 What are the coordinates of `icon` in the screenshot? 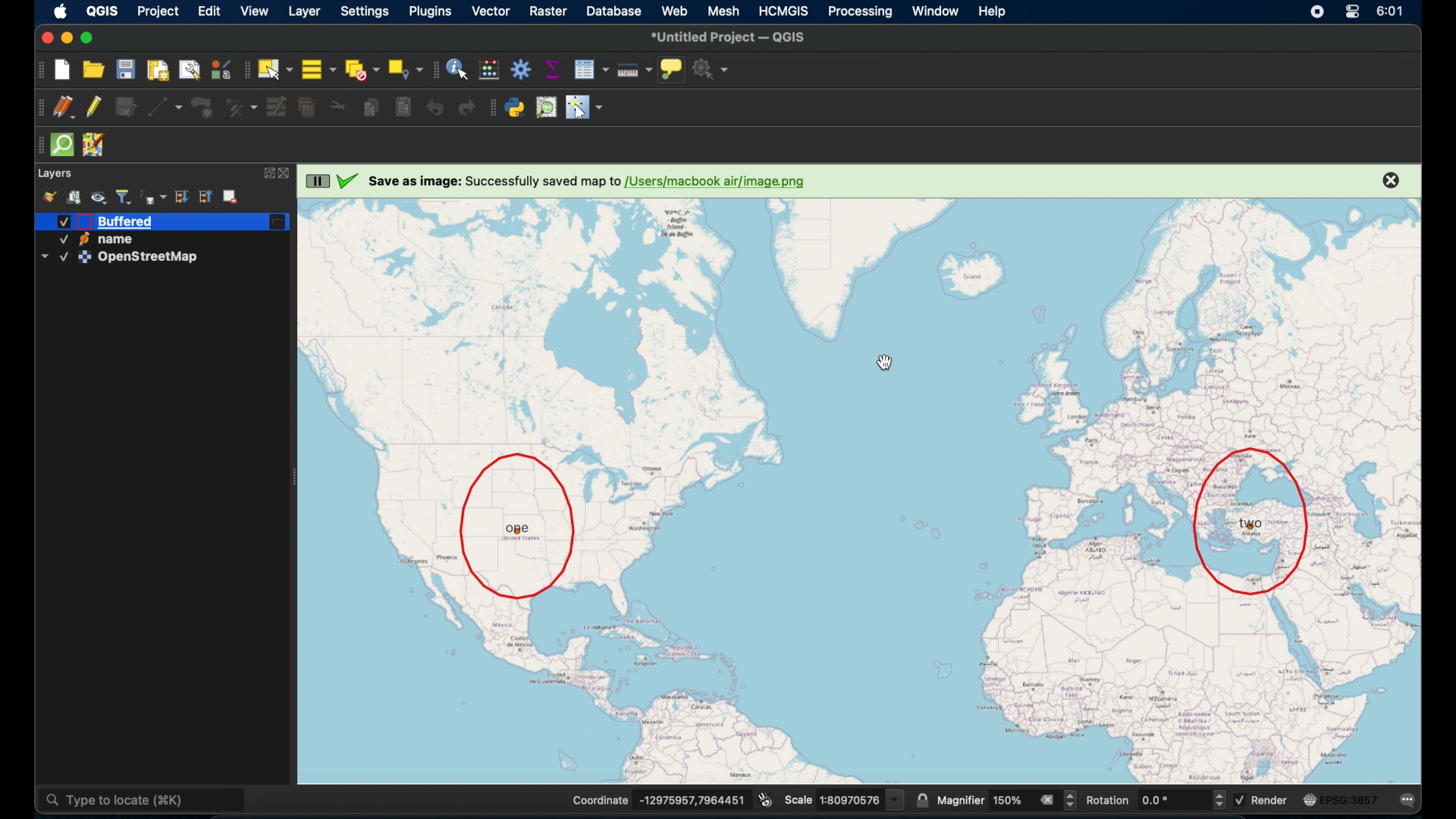 It's located at (85, 257).